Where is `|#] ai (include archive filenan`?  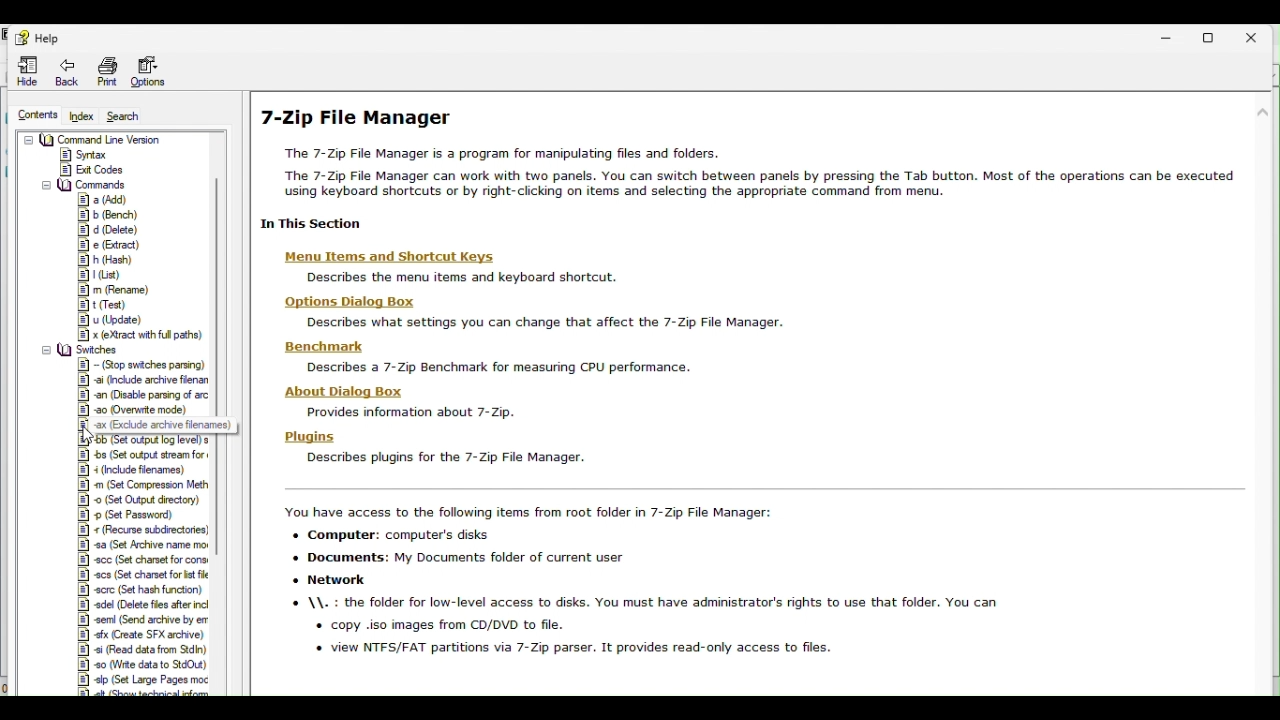 |#] ai (include archive filenan is located at coordinates (145, 379).